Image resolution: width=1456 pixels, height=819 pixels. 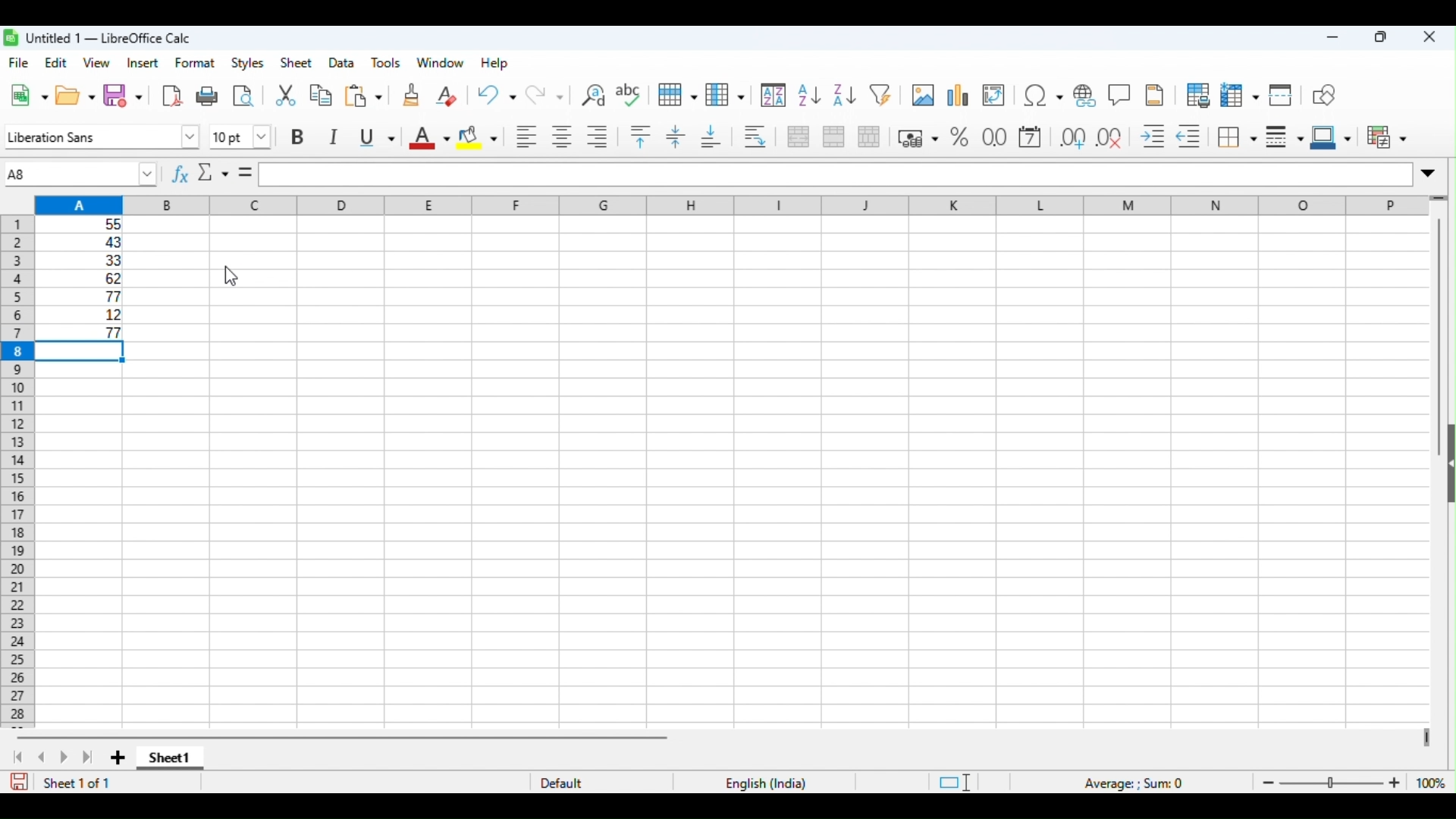 I want to click on bold, so click(x=300, y=136).